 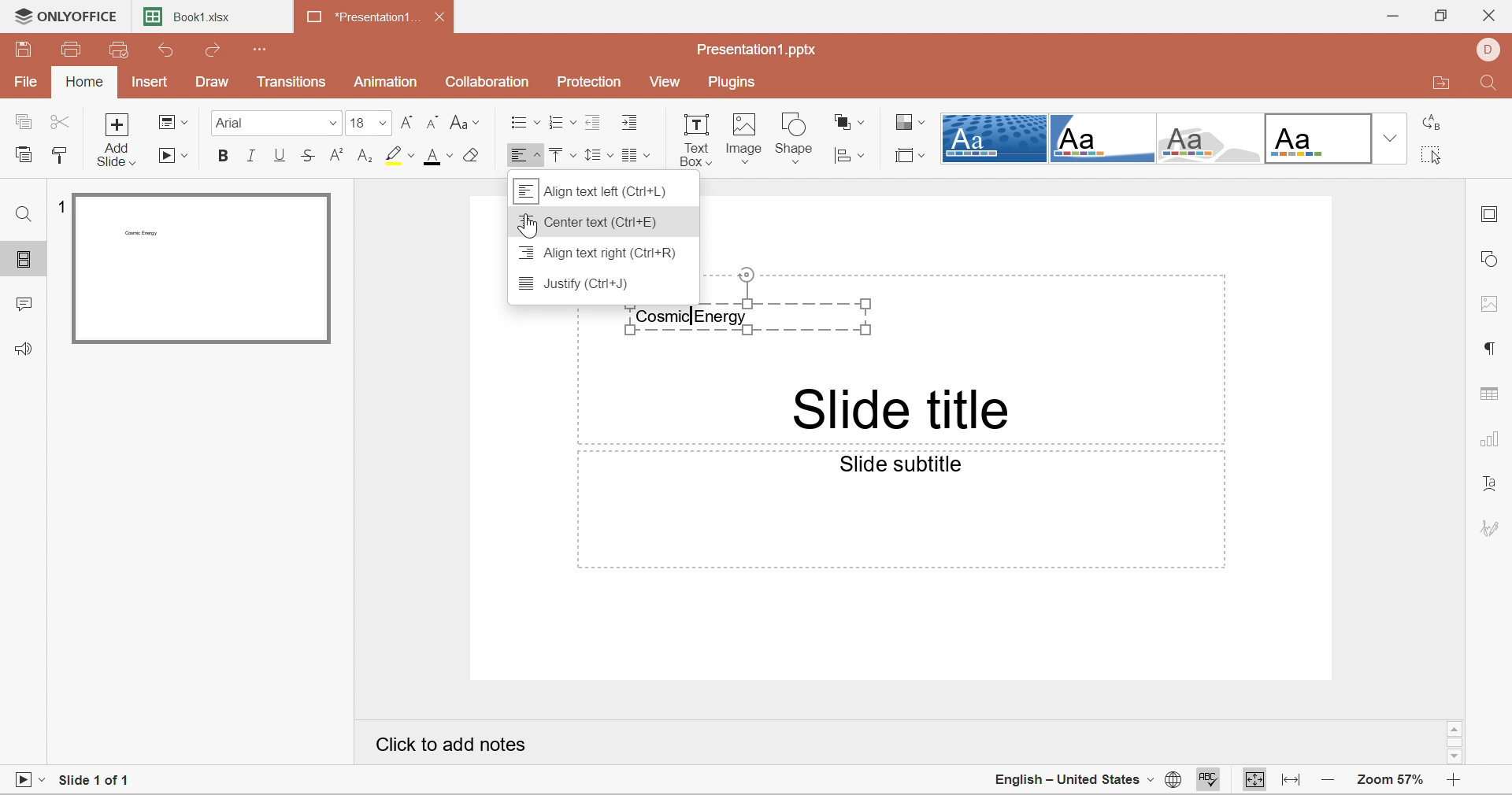 I want to click on English - United States, so click(x=1065, y=779).